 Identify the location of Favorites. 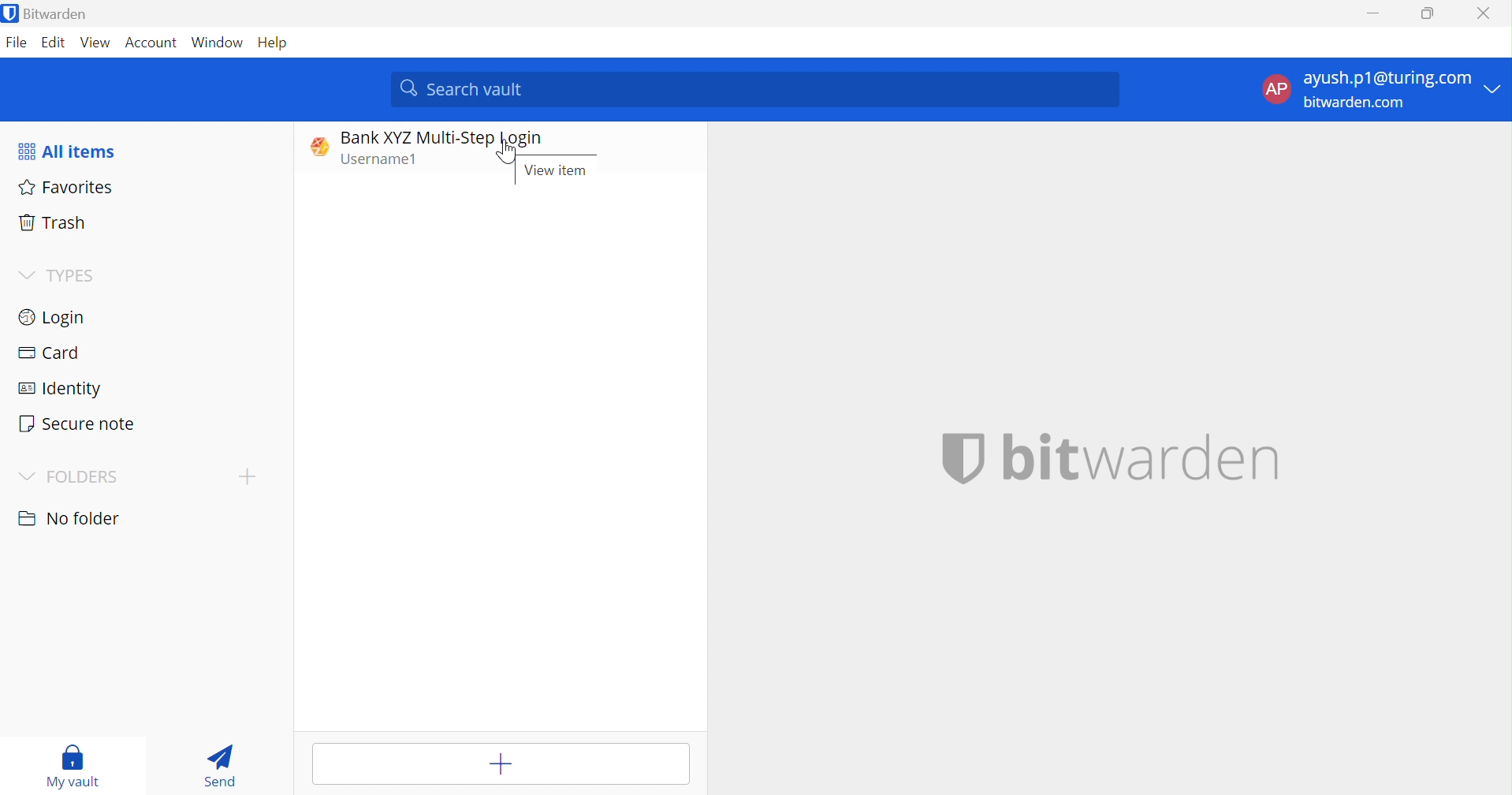
(69, 188).